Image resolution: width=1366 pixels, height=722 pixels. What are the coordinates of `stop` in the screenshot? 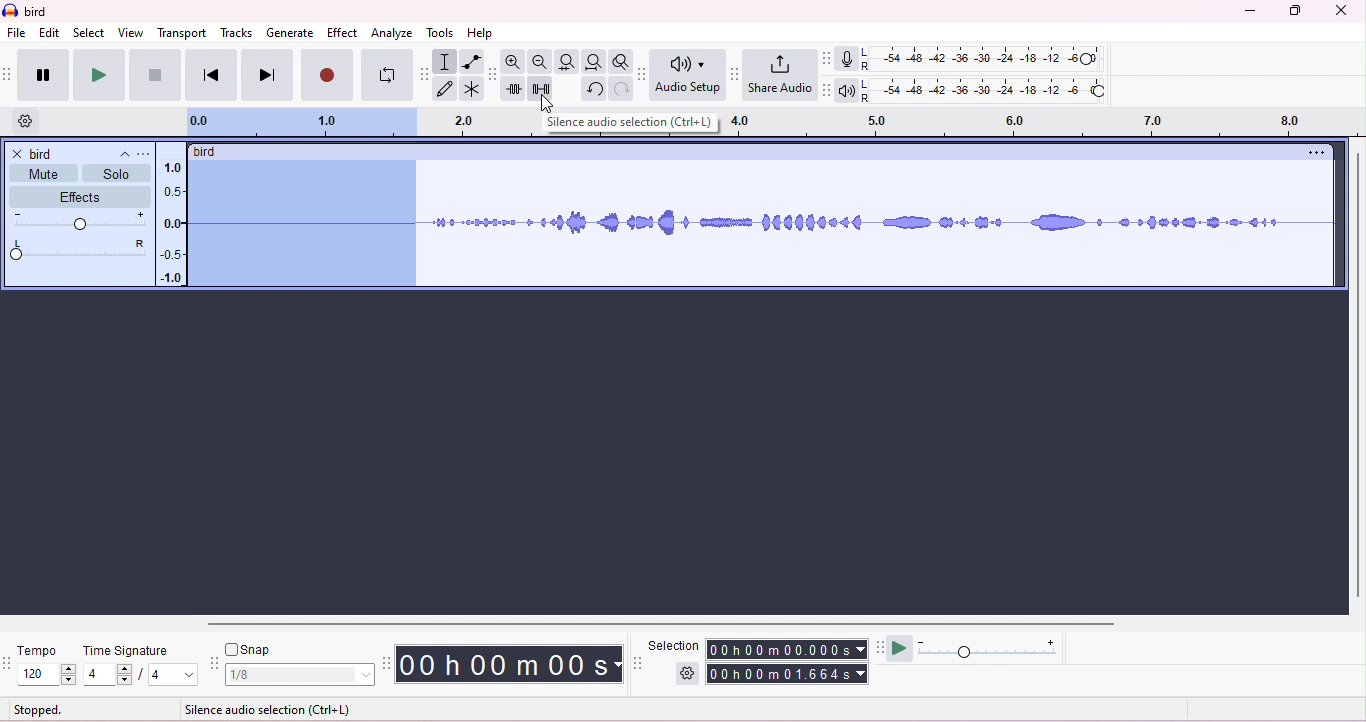 It's located at (155, 75).